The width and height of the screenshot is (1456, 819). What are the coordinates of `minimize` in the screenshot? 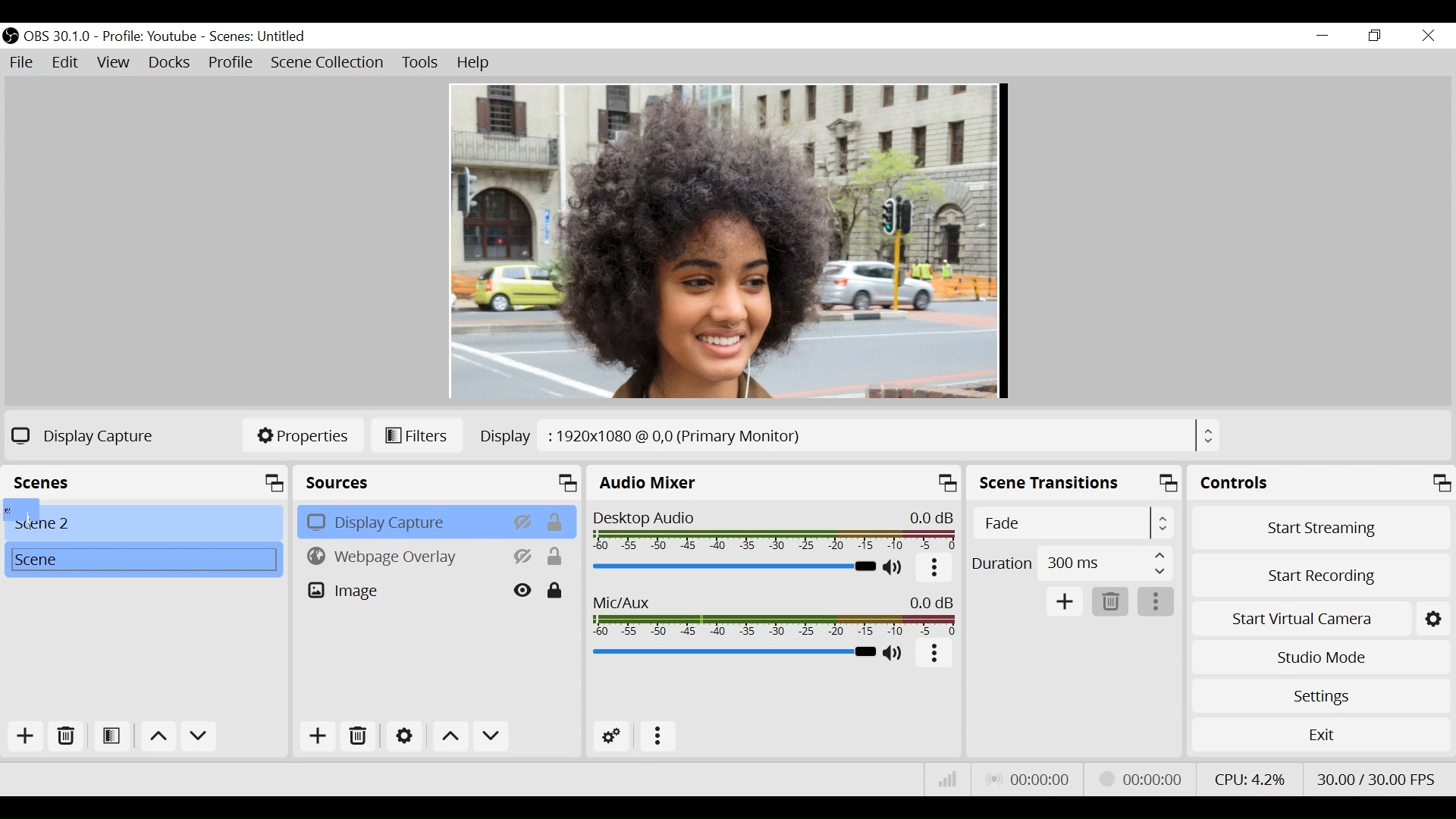 It's located at (1321, 35).